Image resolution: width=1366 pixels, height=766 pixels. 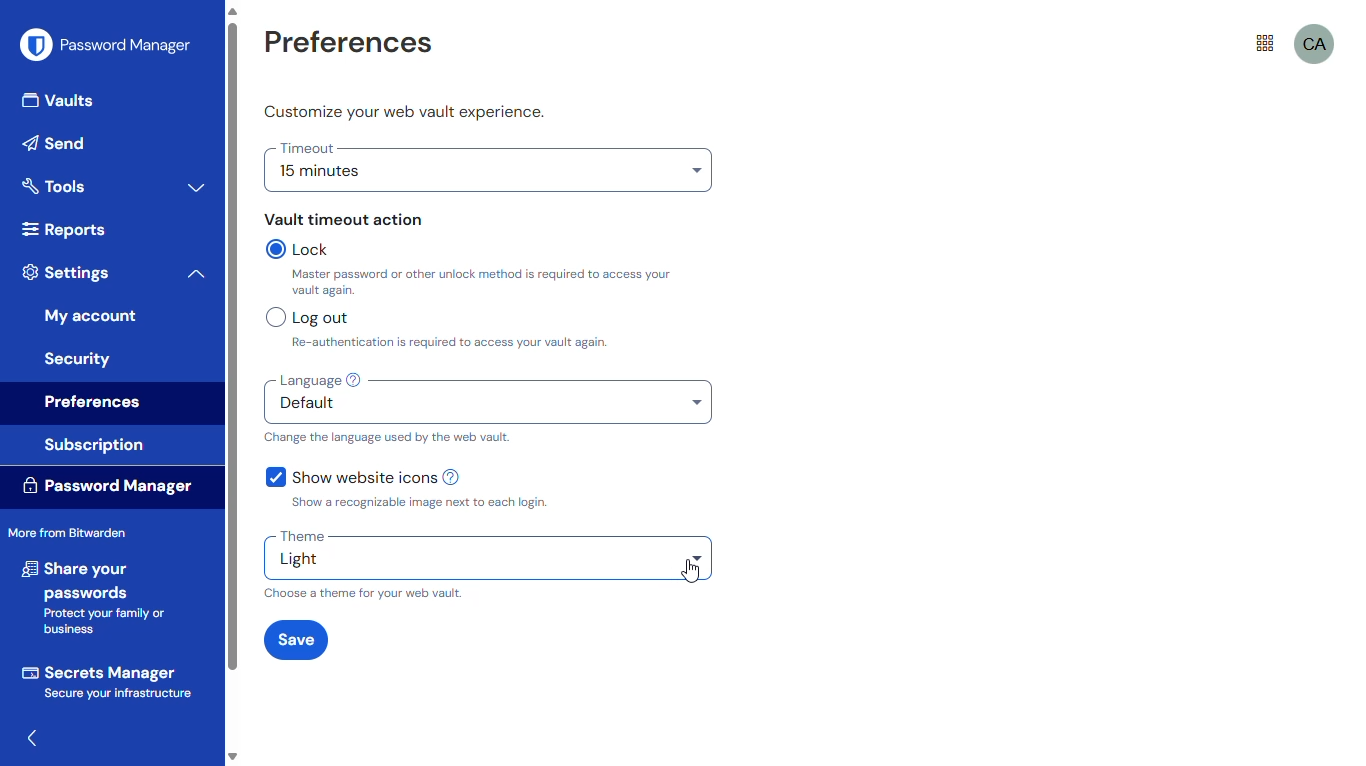 I want to click on learn more about website icons, so click(x=456, y=477).